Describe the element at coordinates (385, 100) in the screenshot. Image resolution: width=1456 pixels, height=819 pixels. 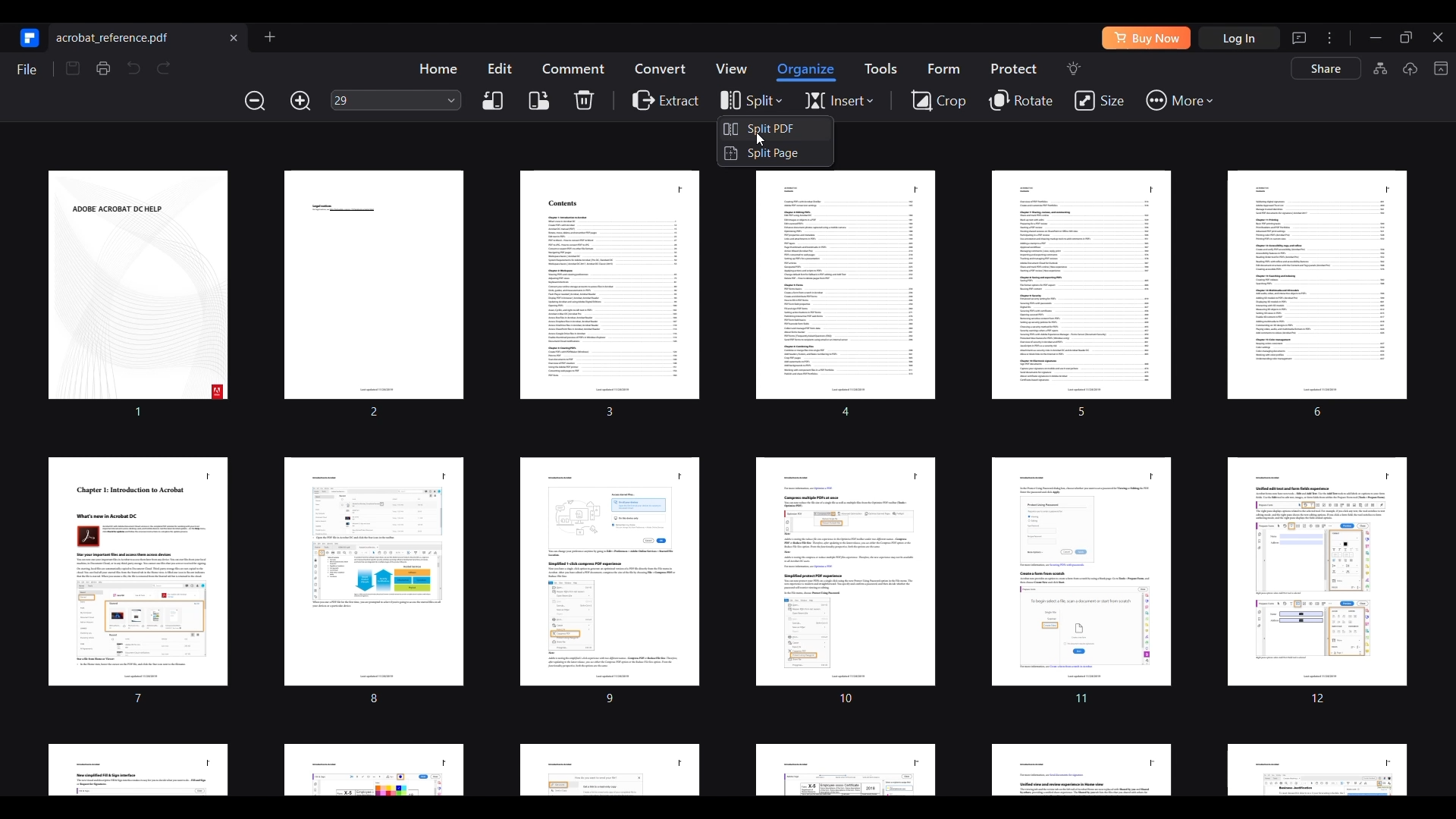
I see `29` at that location.